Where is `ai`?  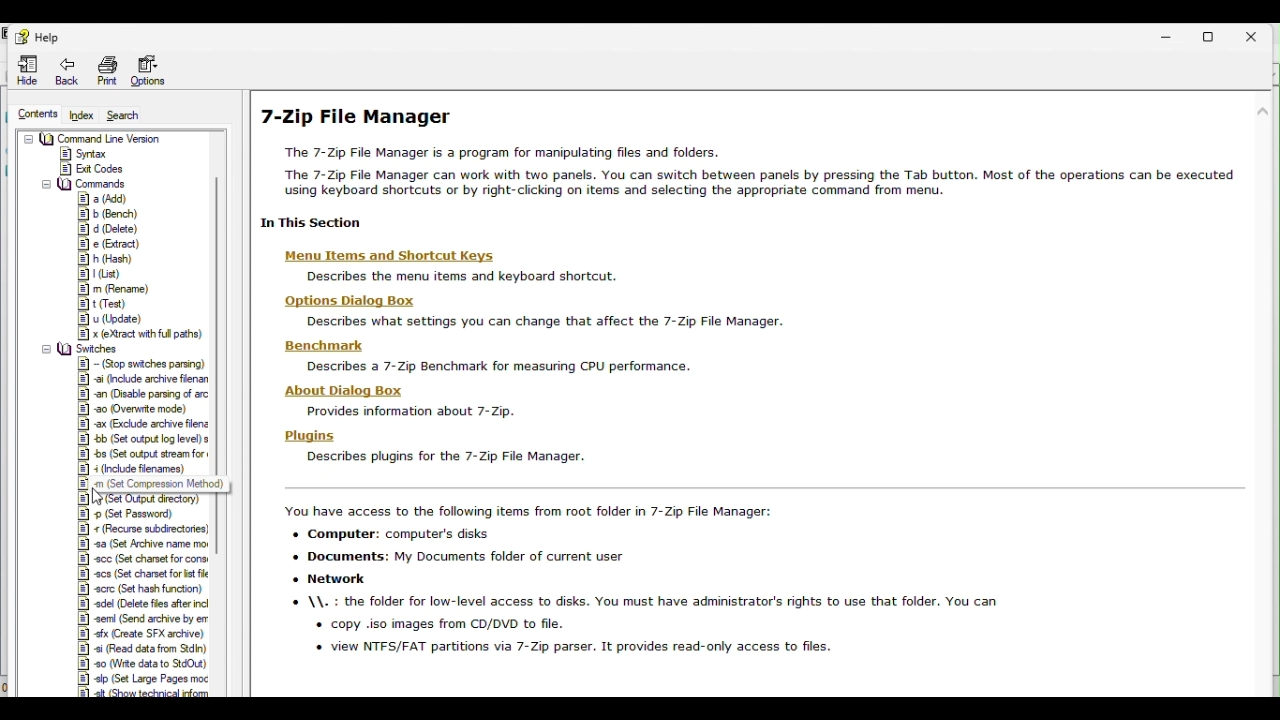 ai is located at coordinates (138, 380).